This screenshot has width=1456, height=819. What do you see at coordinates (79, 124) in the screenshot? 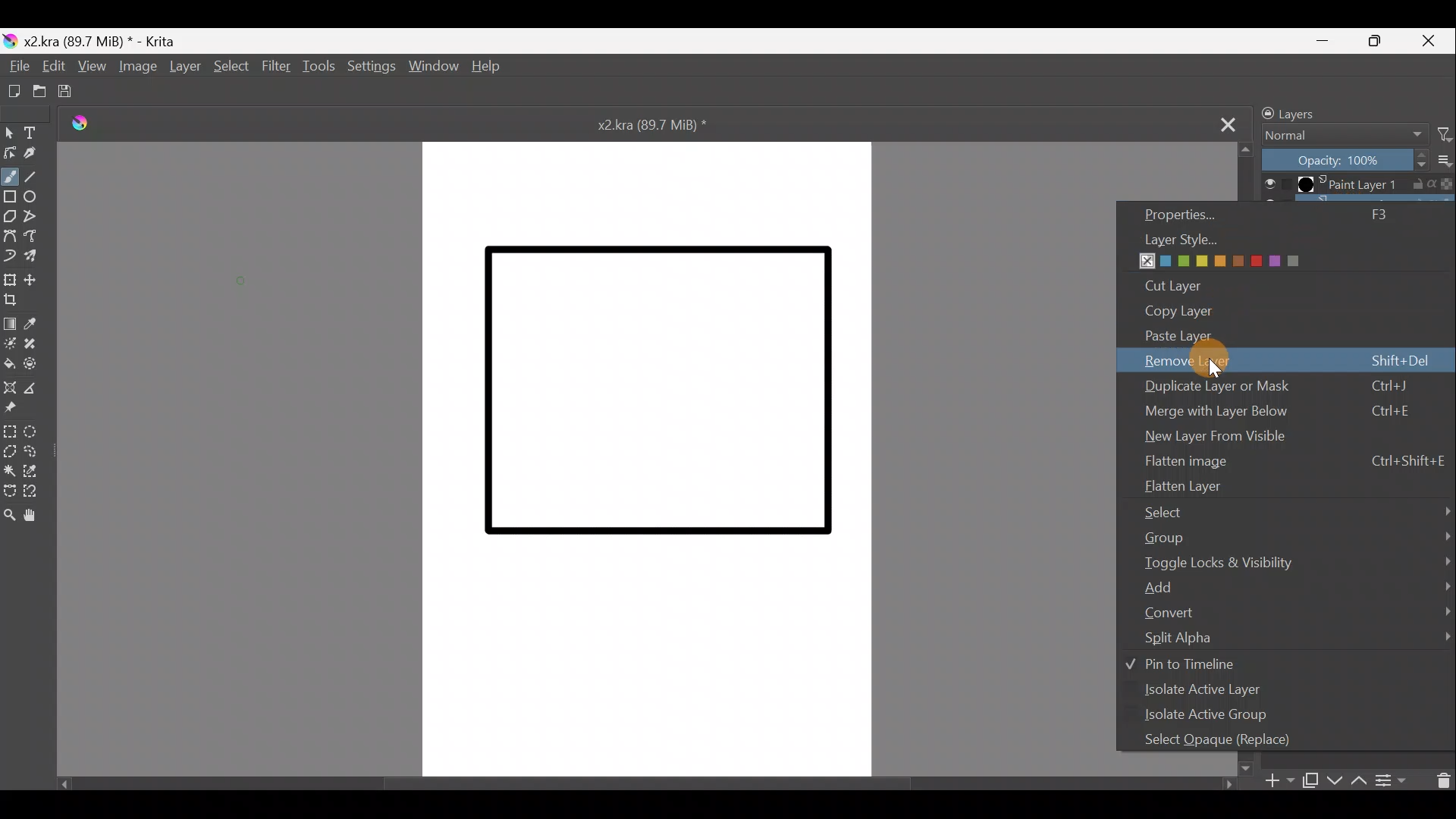
I see `Krita Logo` at bounding box center [79, 124].